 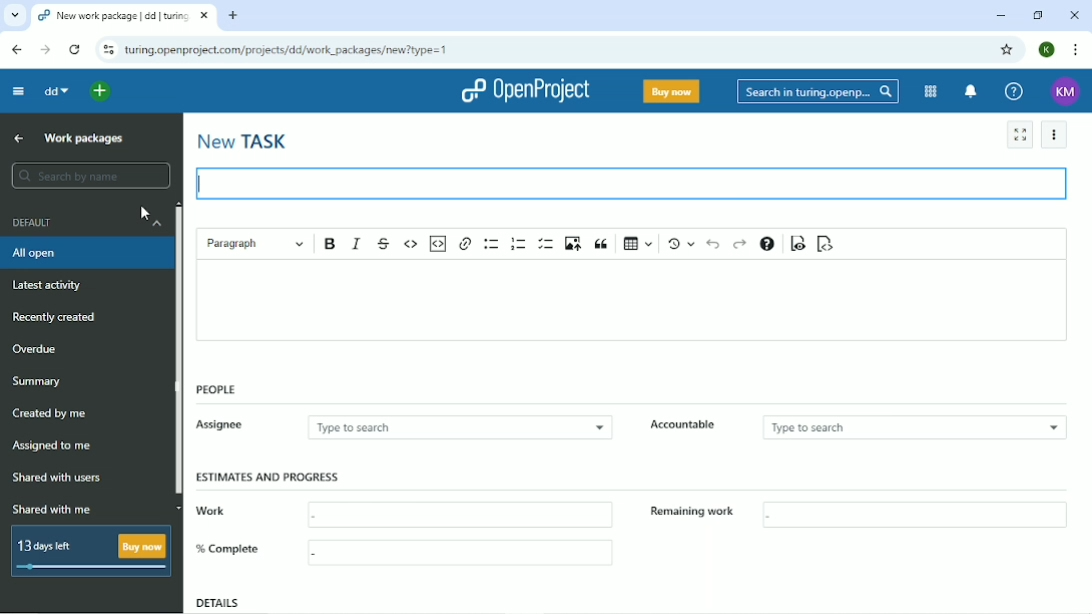 I want to click on Link, so click(x=465, y=244).